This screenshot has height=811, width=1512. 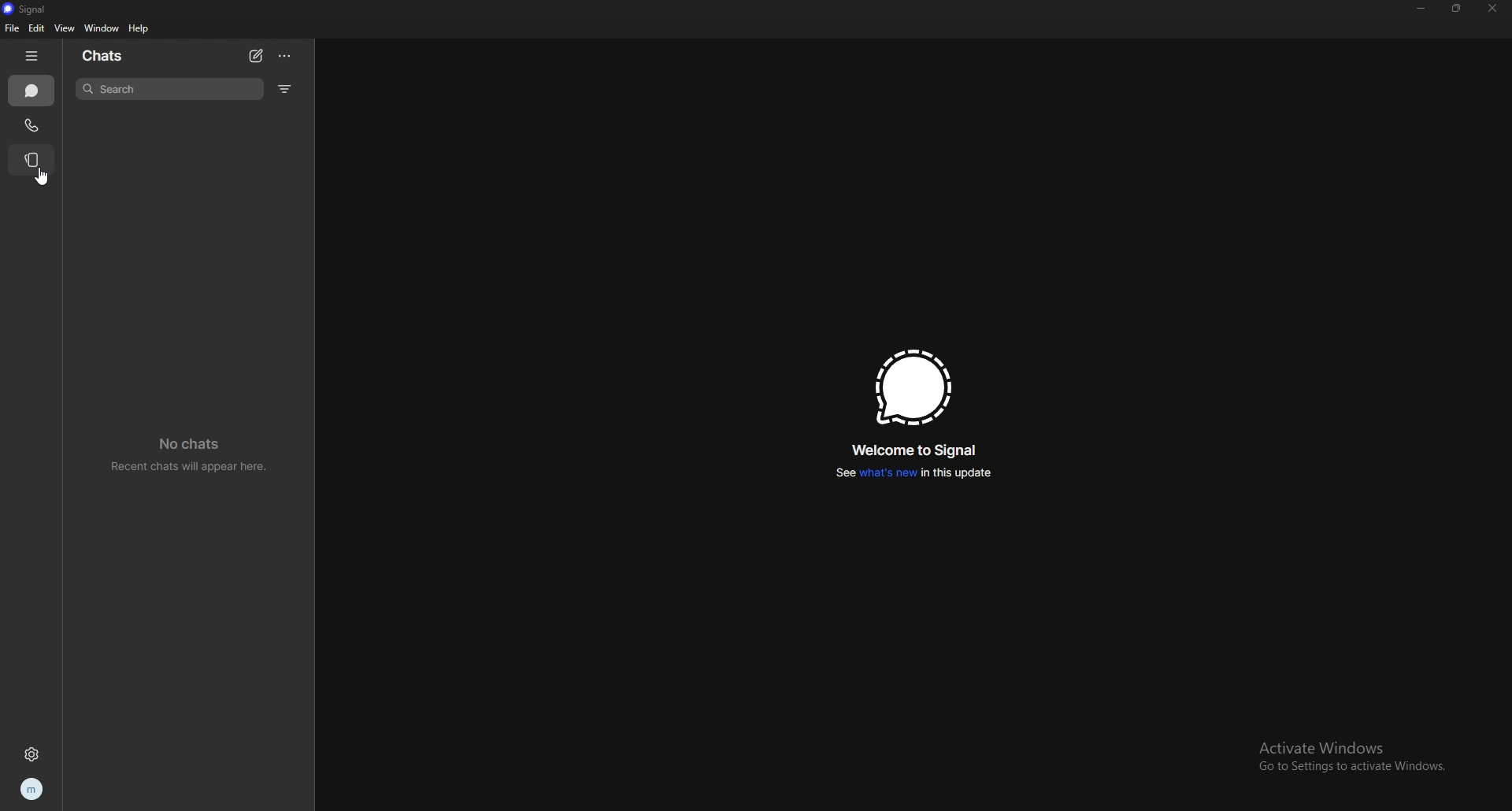 What do you see at coordinates (33, 787) in the screenshot?
I see `profile` at bounding box center [33, 787].